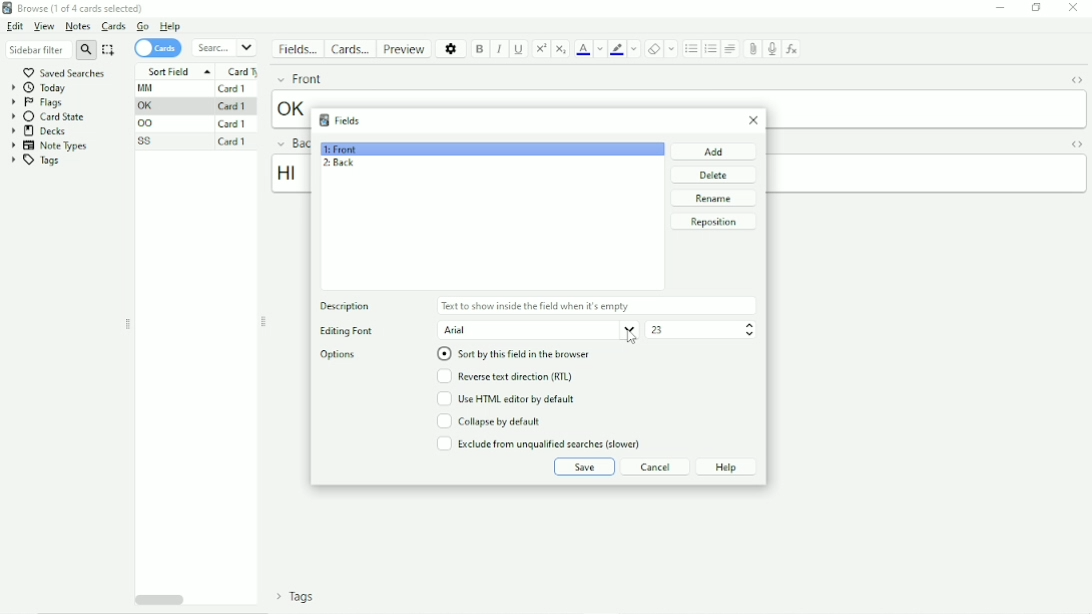  What do you see at coordinates (149, 88) in the screenshot?
I see `MM` at bounding box center [149, 88].